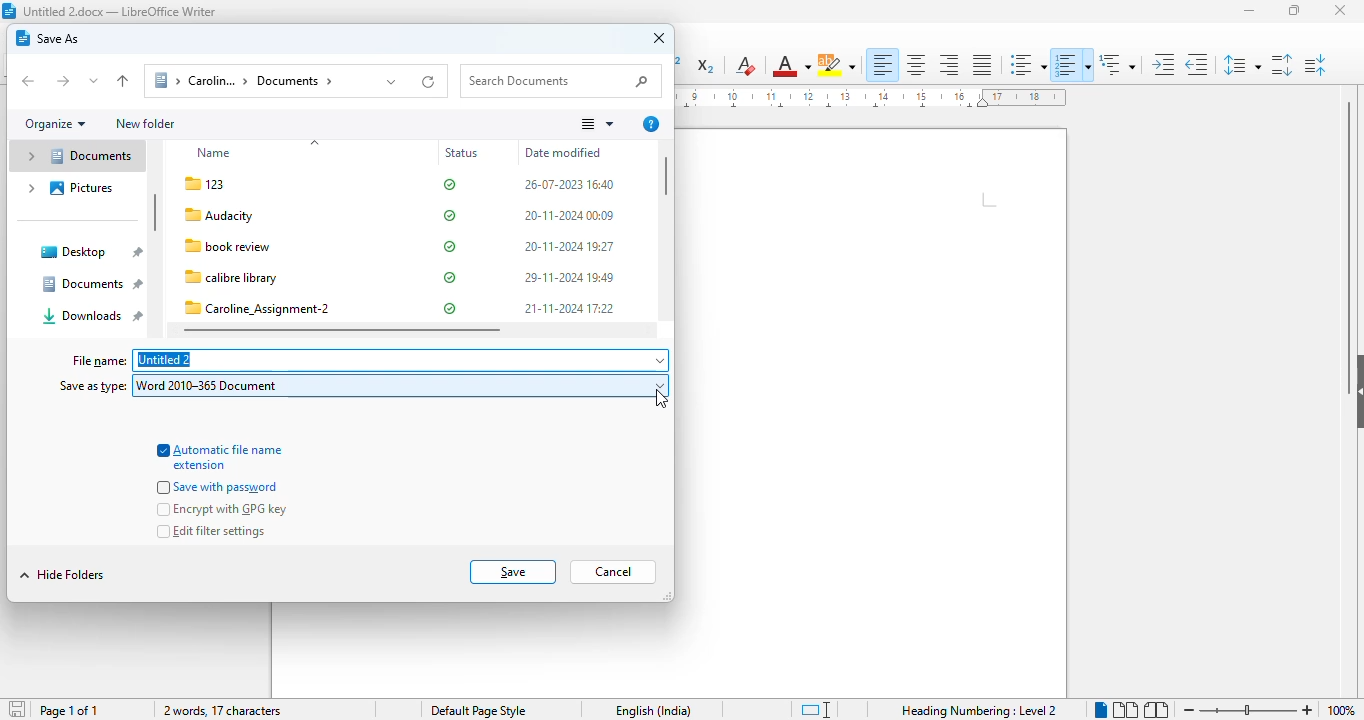  What do you see at coordinates (48, 38) in the screenshot?
I see `save as` at bounding box center [48, 38].